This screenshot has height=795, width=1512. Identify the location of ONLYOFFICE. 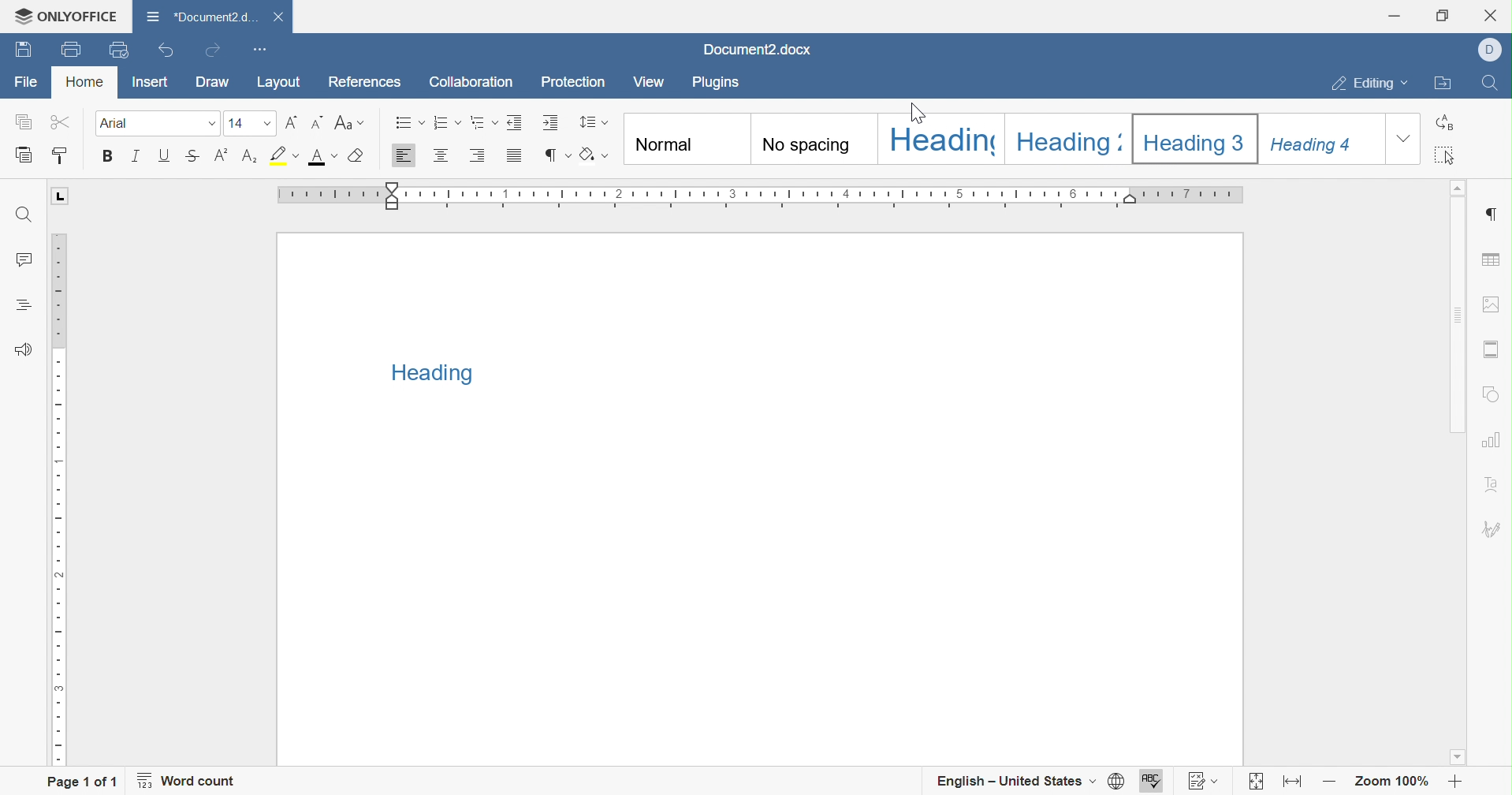
(59, 15).